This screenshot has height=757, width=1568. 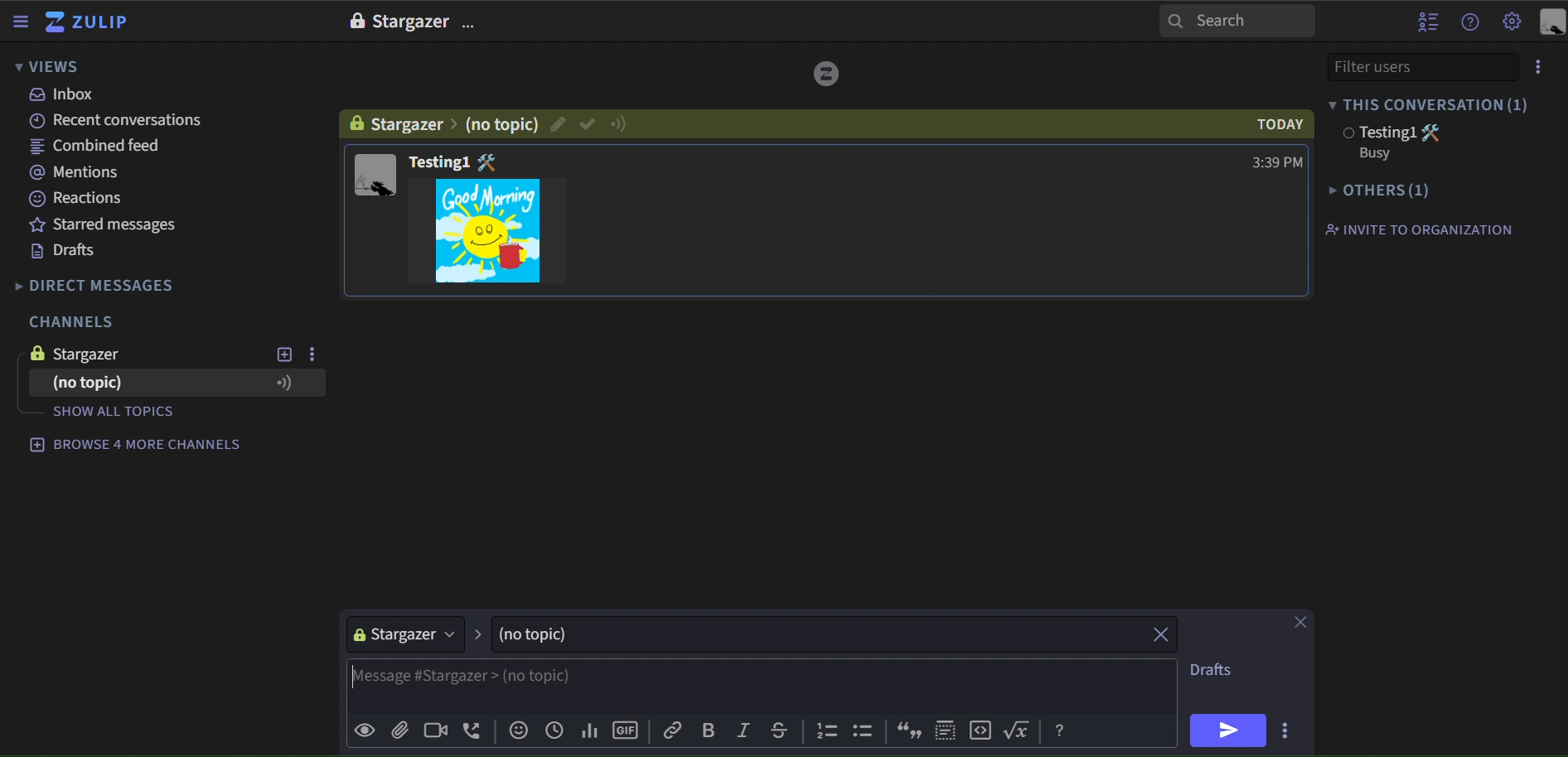 I want to click on show all topics, so click(x=150, y=412).